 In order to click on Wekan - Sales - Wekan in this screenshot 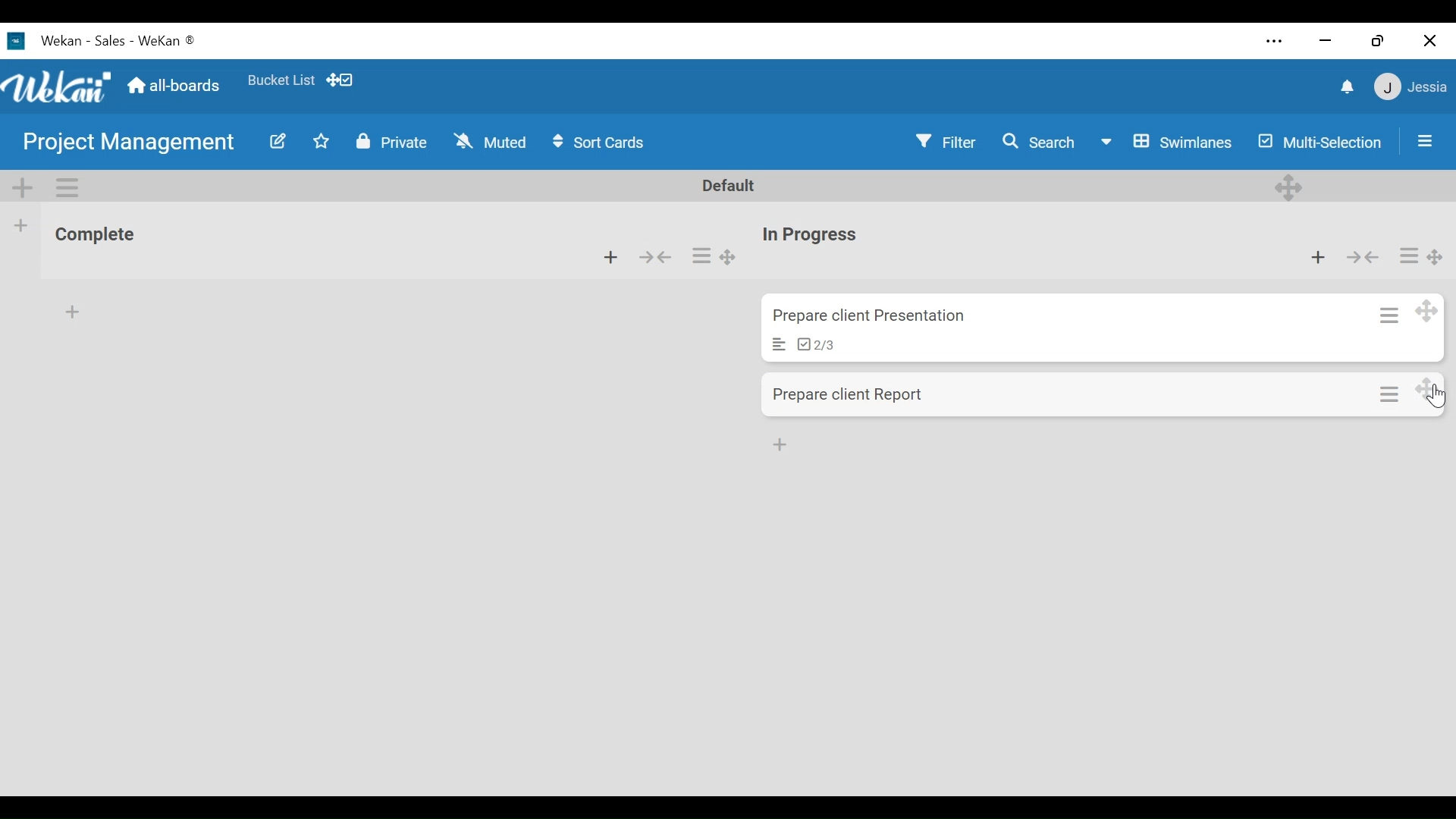, I will do `click(121, 40)`.